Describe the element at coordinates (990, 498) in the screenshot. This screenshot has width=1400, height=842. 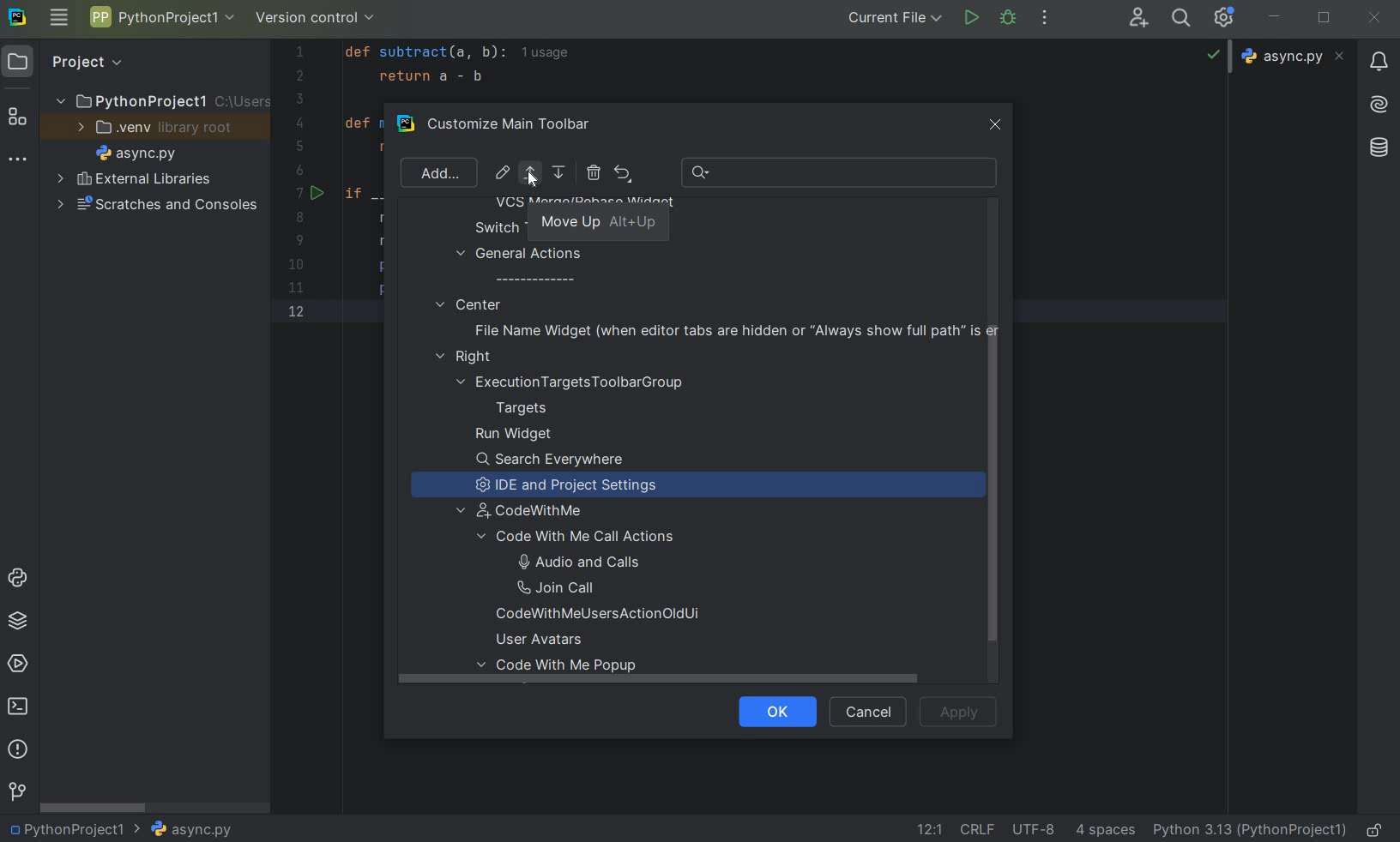
I see `scrollbar` at that location.